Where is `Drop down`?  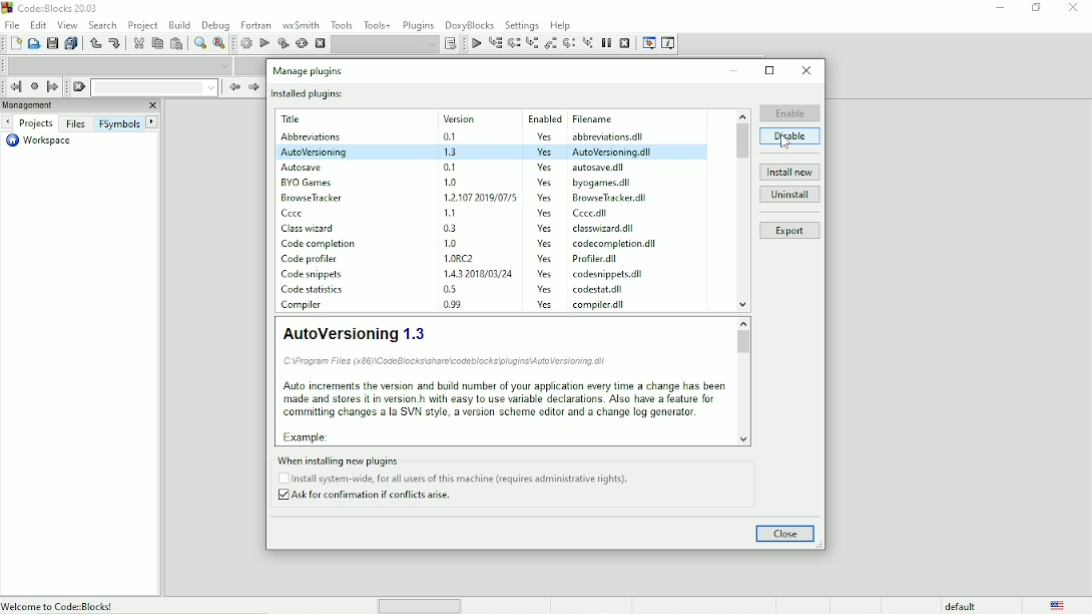
Drop down is located at coordinates (385, 44).